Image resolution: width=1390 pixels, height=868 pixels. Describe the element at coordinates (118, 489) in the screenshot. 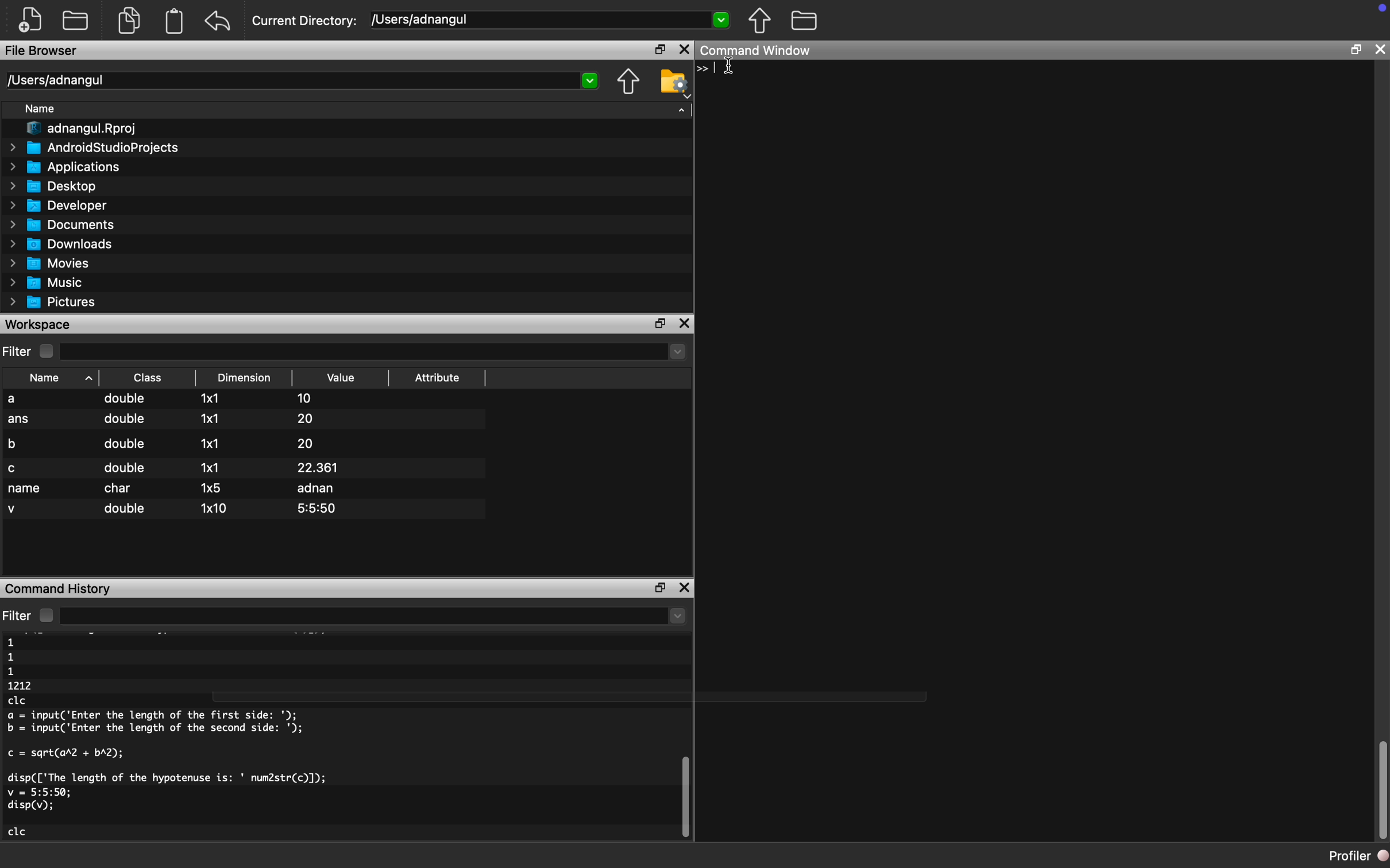

I see `char` at that location.